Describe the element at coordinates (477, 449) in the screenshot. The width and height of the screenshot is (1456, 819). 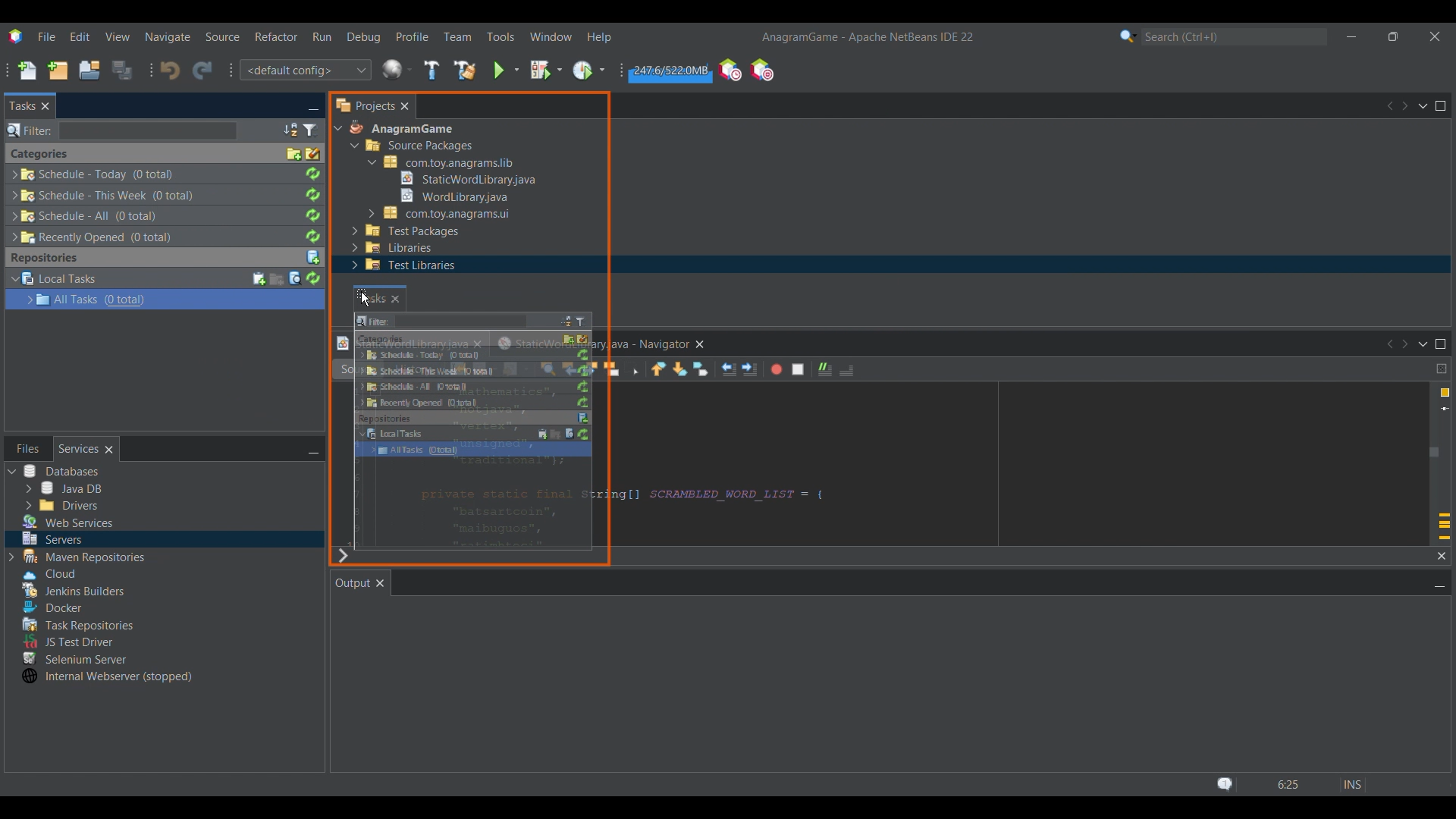
I see `` at that location.